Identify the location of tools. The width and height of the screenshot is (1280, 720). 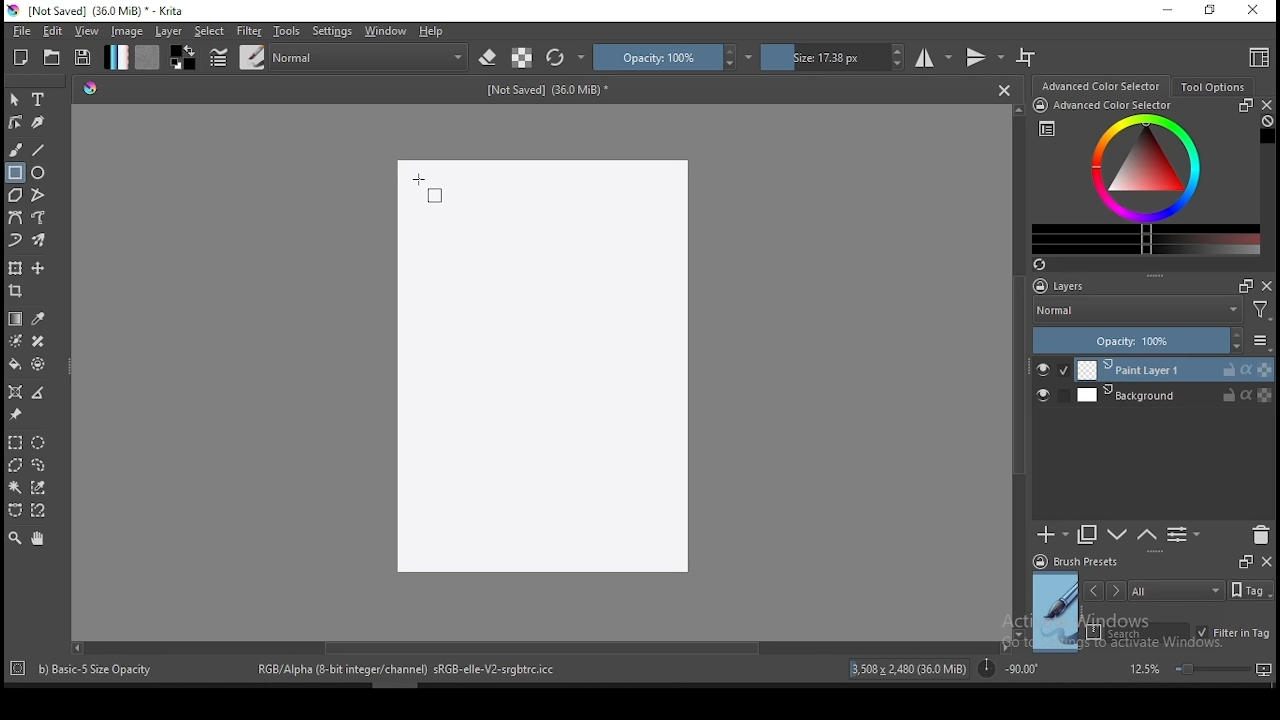
(287, 31).